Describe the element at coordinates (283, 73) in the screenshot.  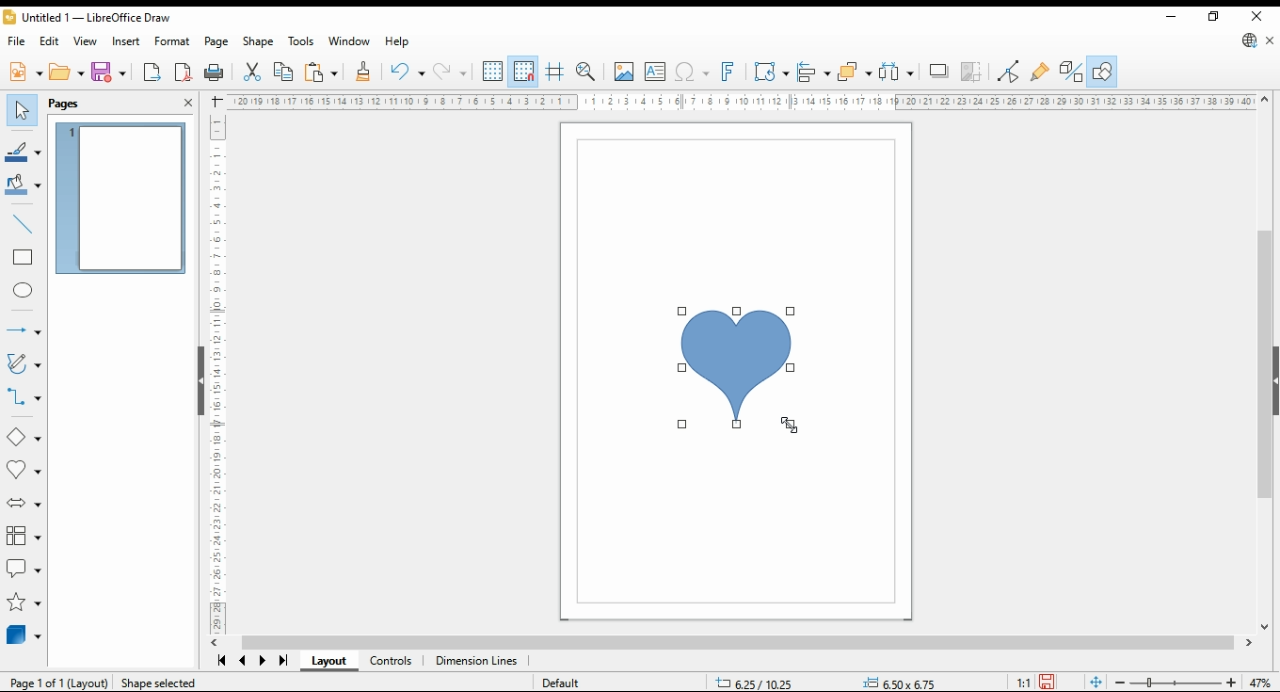
I see `copy` at that location.